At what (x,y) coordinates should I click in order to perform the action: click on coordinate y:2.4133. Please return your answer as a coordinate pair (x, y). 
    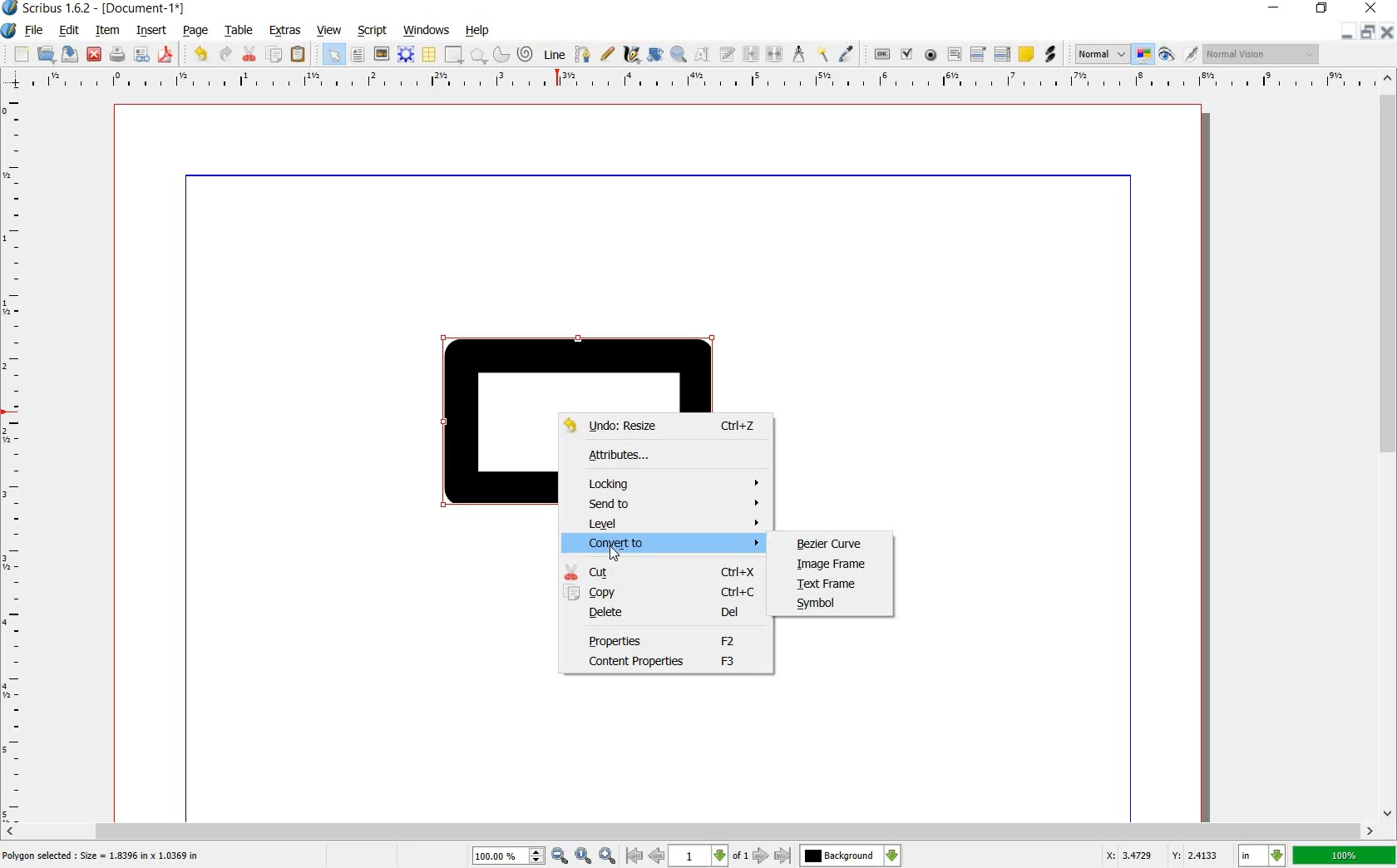
    Looking at the image, I should click on (1199, 854).